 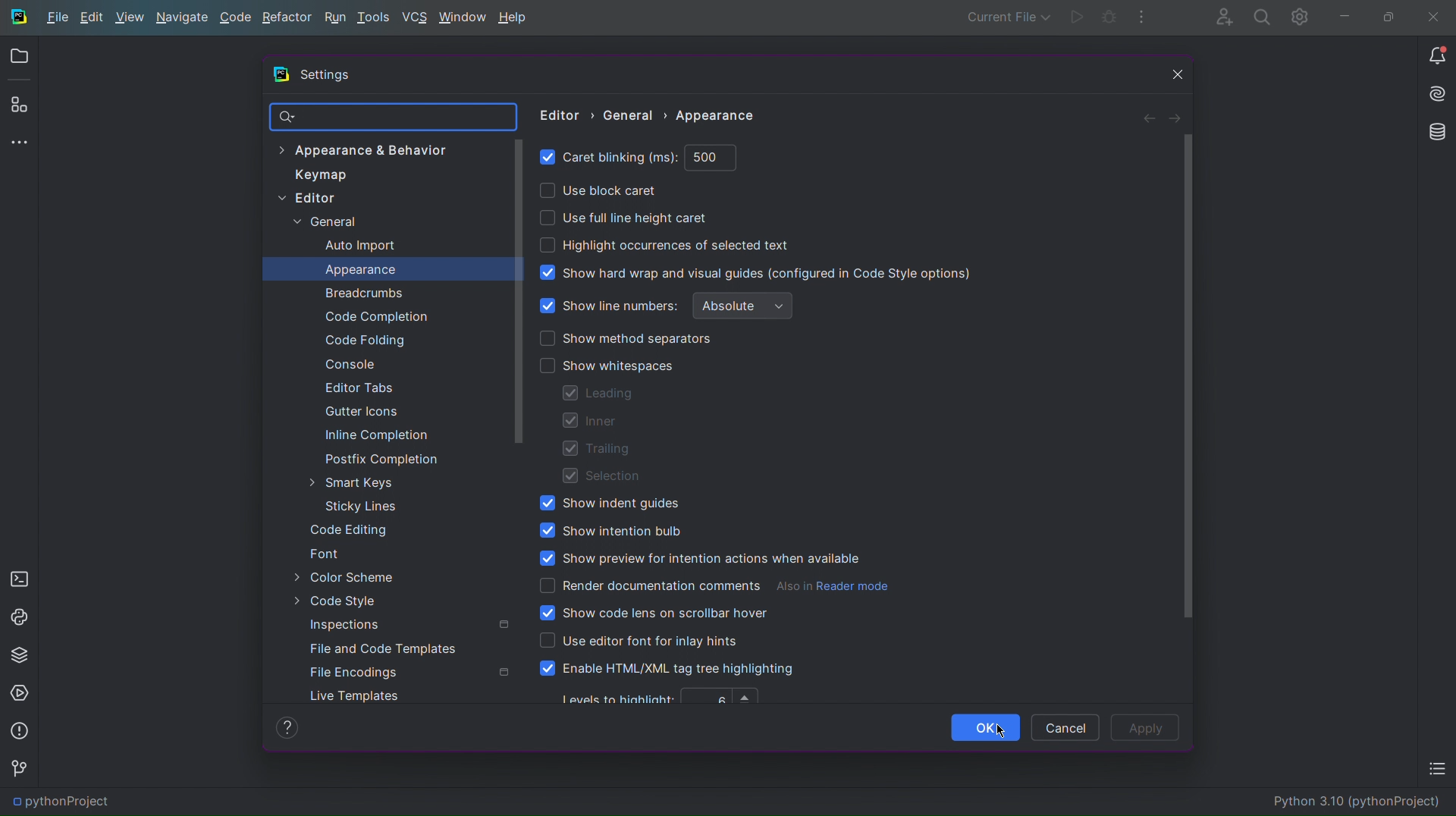 What do you see at coordinates (1434, 132) in the screenshot?
I see `Databases` at bounding box center [1434, 132].